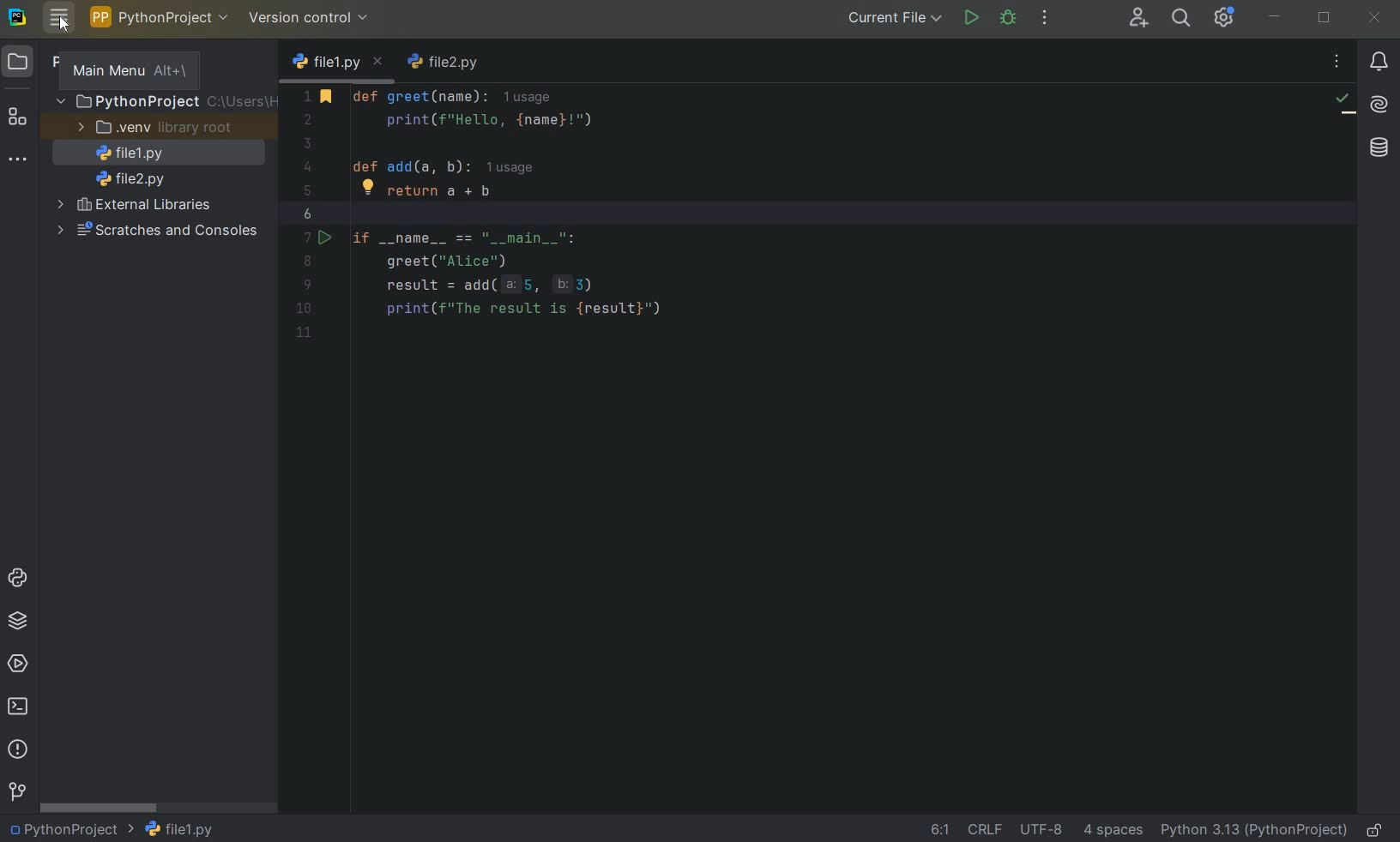 This screenshot has width=1400, height=842. Describe the element at coordinates (155, 231) in the screenshot. I see `scratches and consoles` at that location.